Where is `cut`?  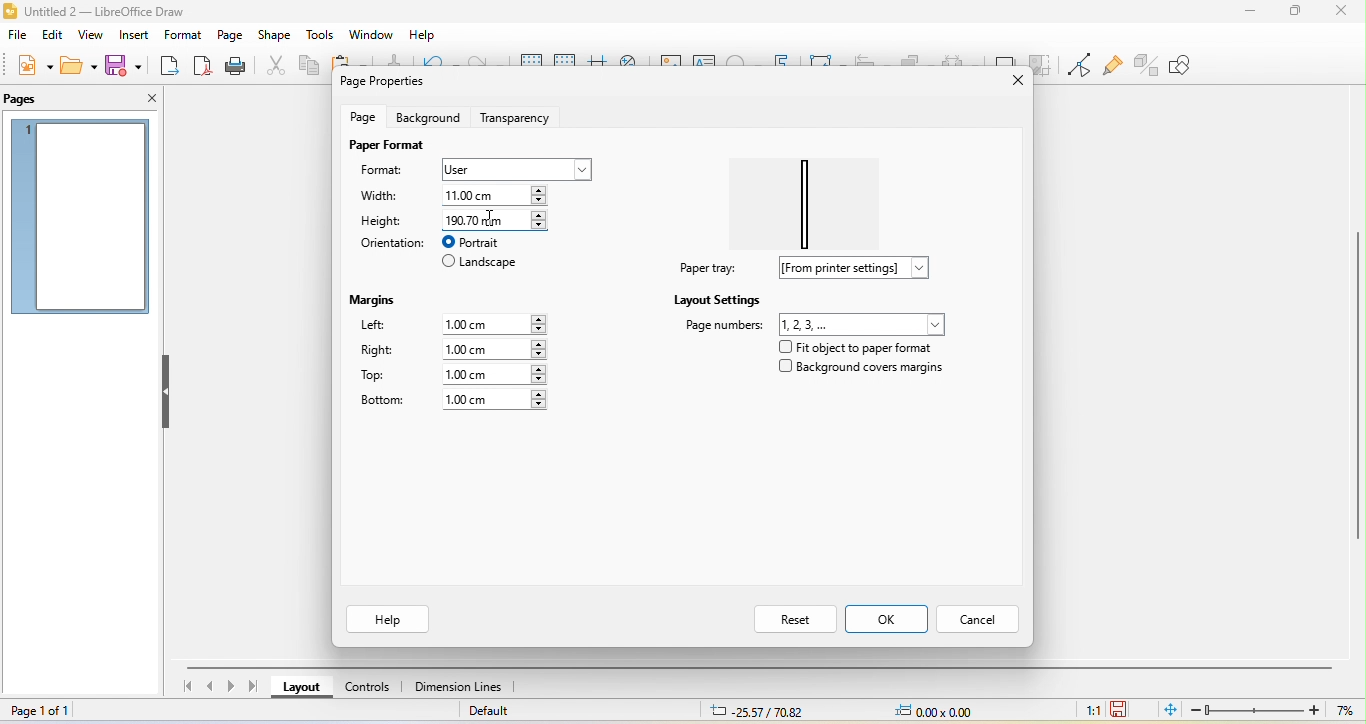
cut is located at coordinates (272, 65).